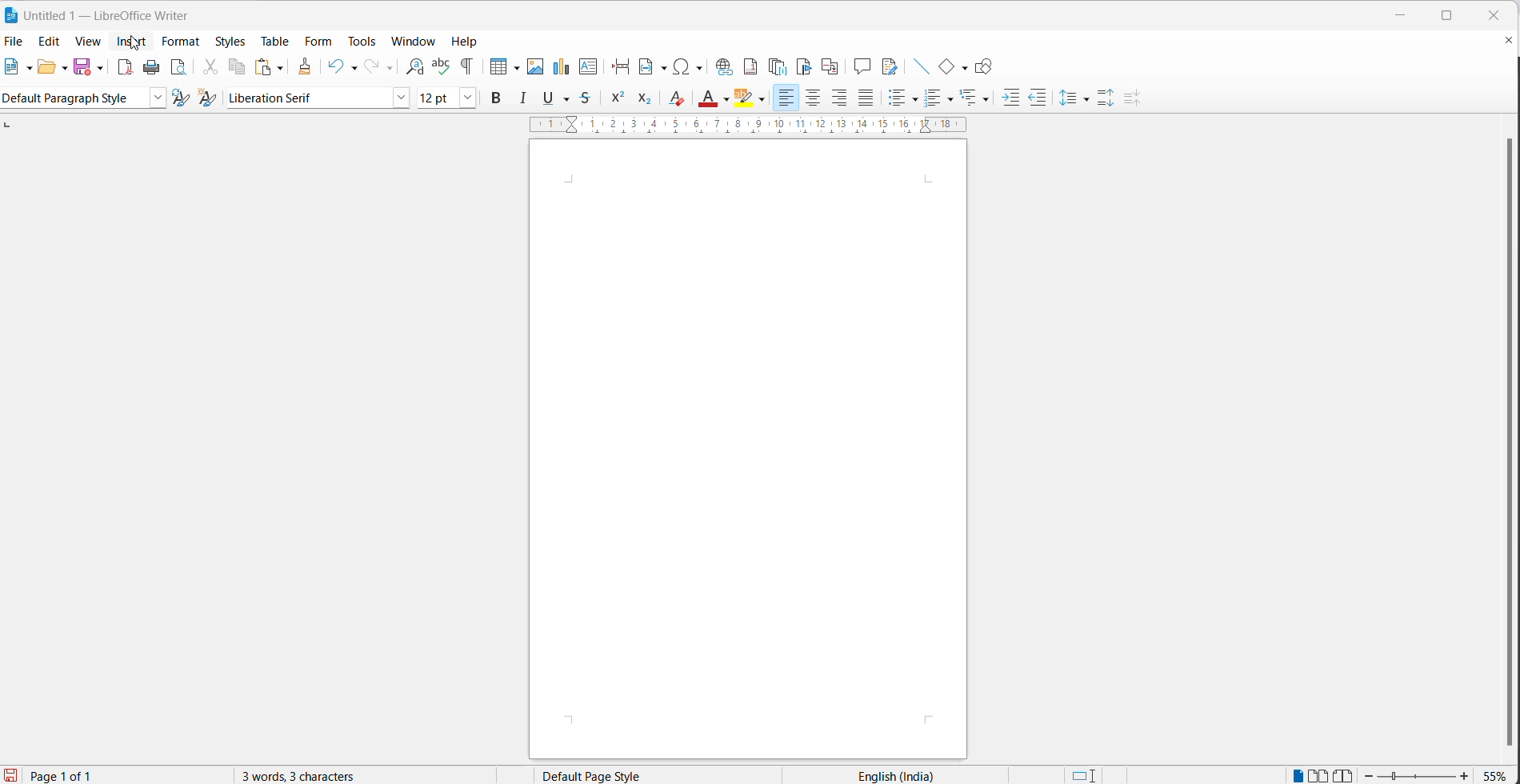 The height and width of the screenshot is (784, 1520). What do you see at coordinates (1346, 774) in the screenshot?
I see `book view` at bounding box center [1346, 774].